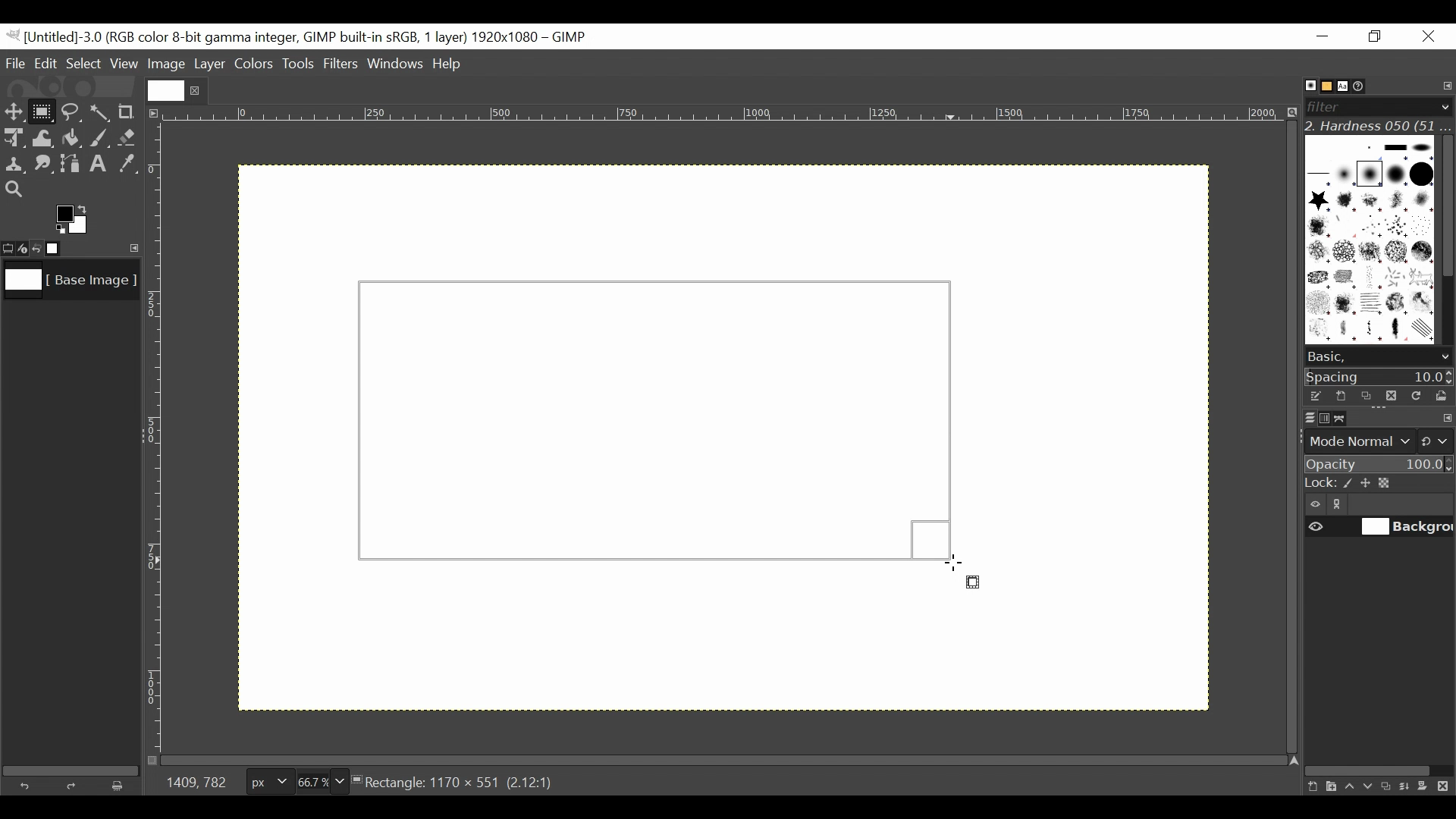 The width and height of the screenshot is (1456, 819). What do you see at coordinates (74, 218) in the screenshot?
I see `Active background color` at bounding box center [74, 218].